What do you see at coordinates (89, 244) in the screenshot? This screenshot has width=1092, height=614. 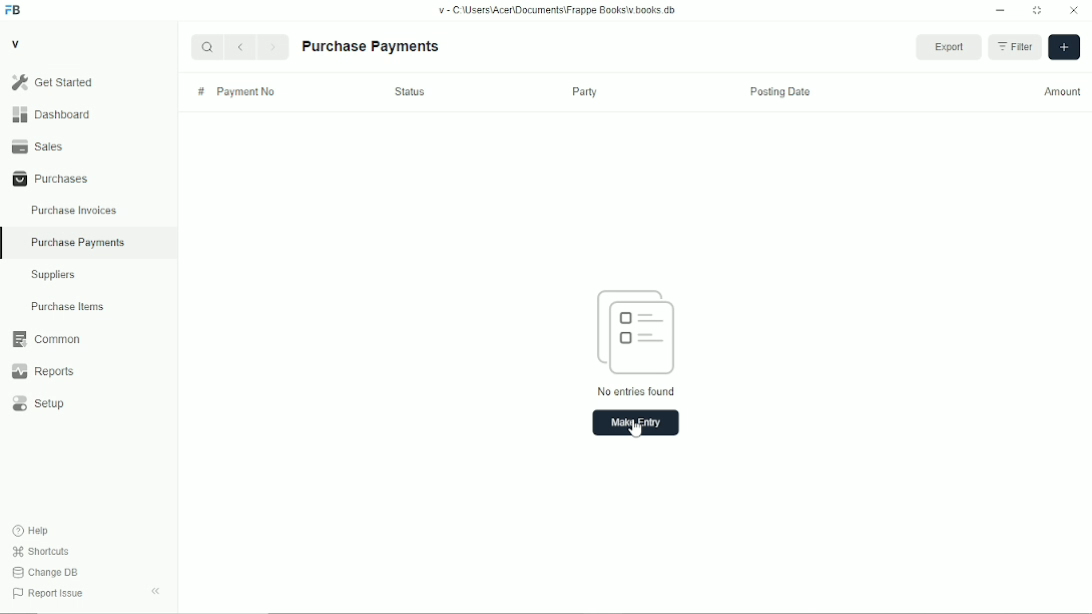 I see `Purchase Payments` at bounding box center [89, 244].